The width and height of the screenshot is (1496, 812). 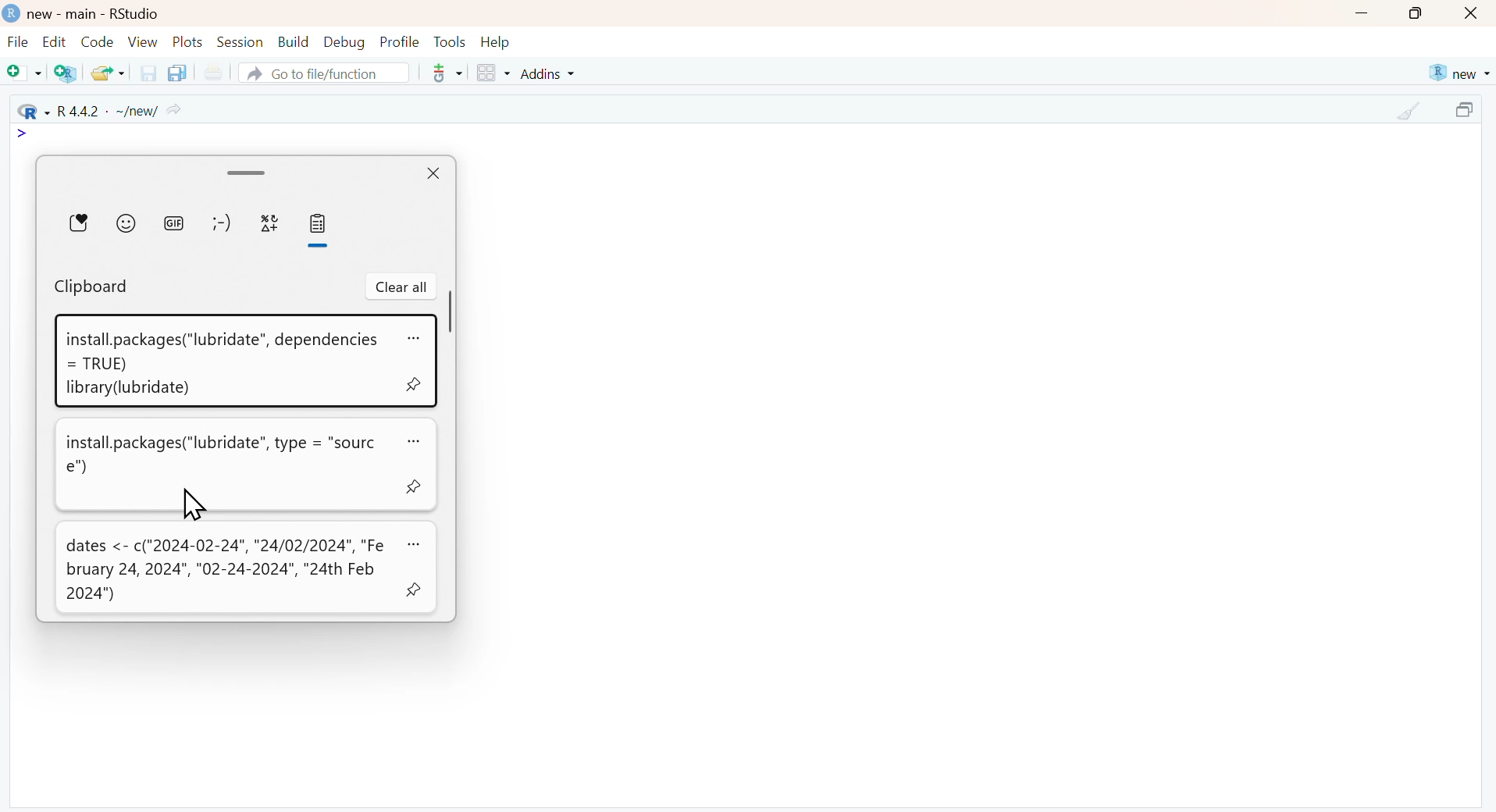 What do you see at coordinates (293, 42) in the screenshot?
I see `Build` at bounding box center [293, 42].